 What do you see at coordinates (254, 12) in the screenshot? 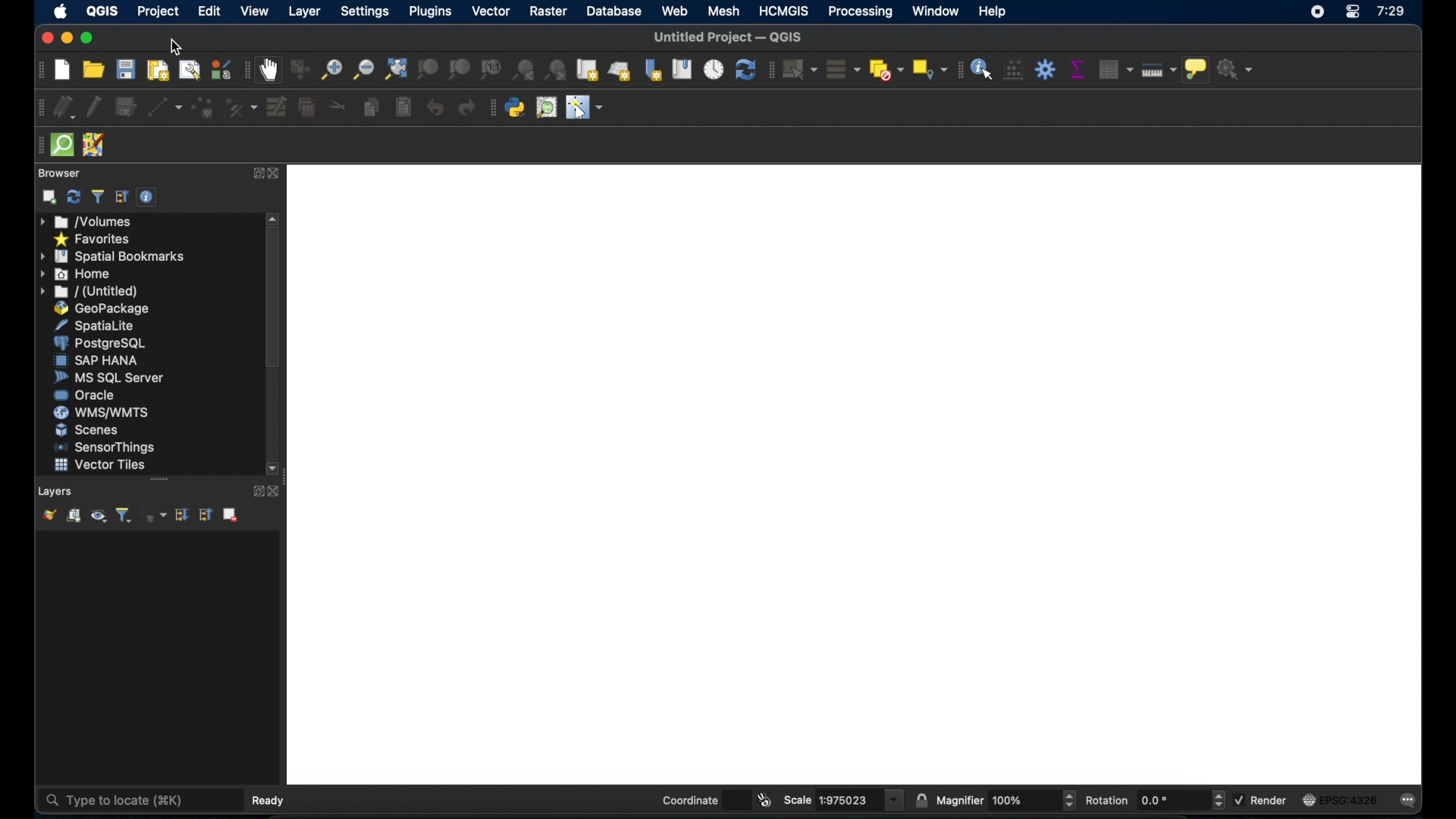
I see `view` at bounding box center [254, 12].